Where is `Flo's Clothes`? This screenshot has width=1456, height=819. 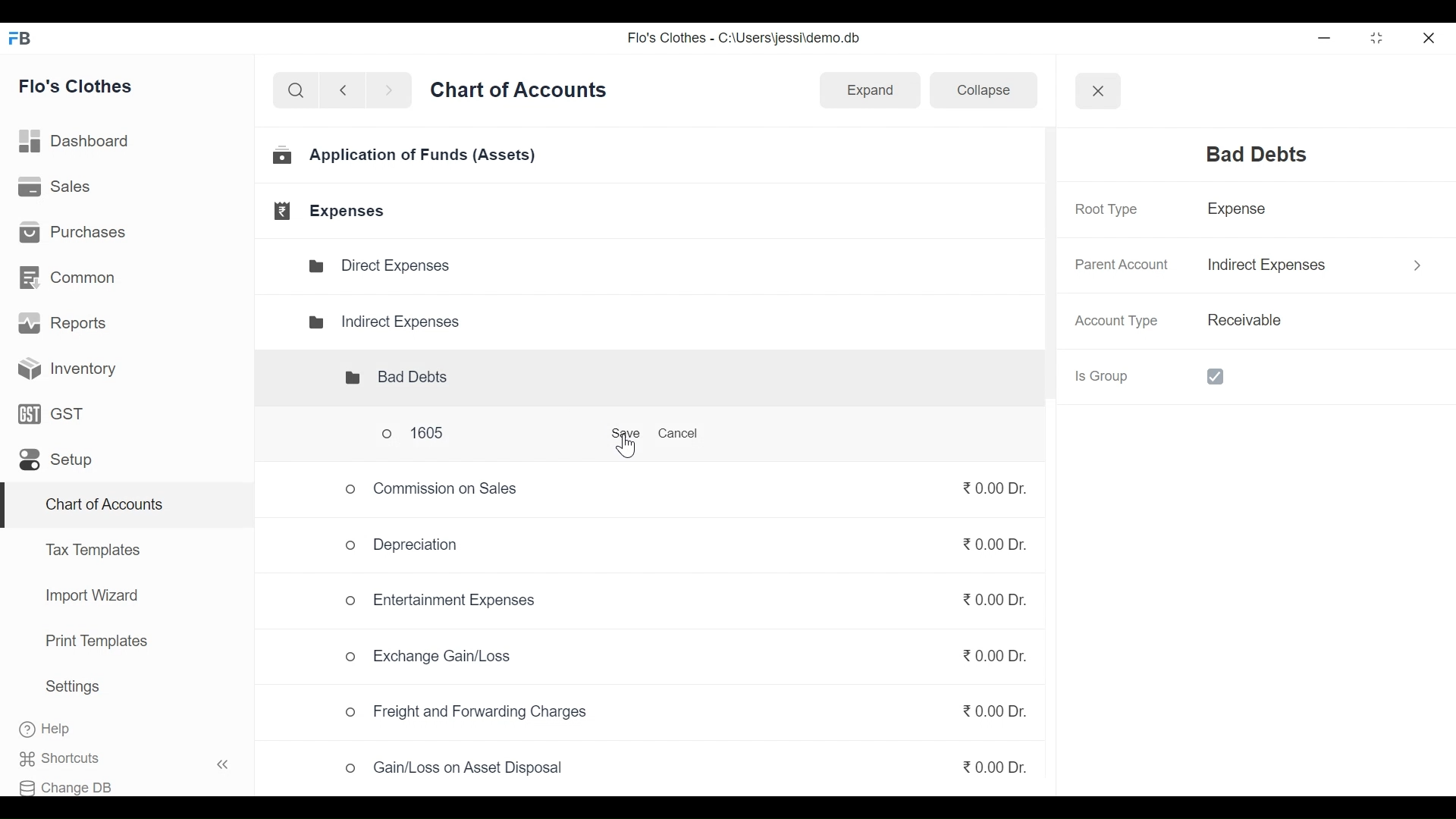
Flo's Clothes is located at coordinates (83, 87).